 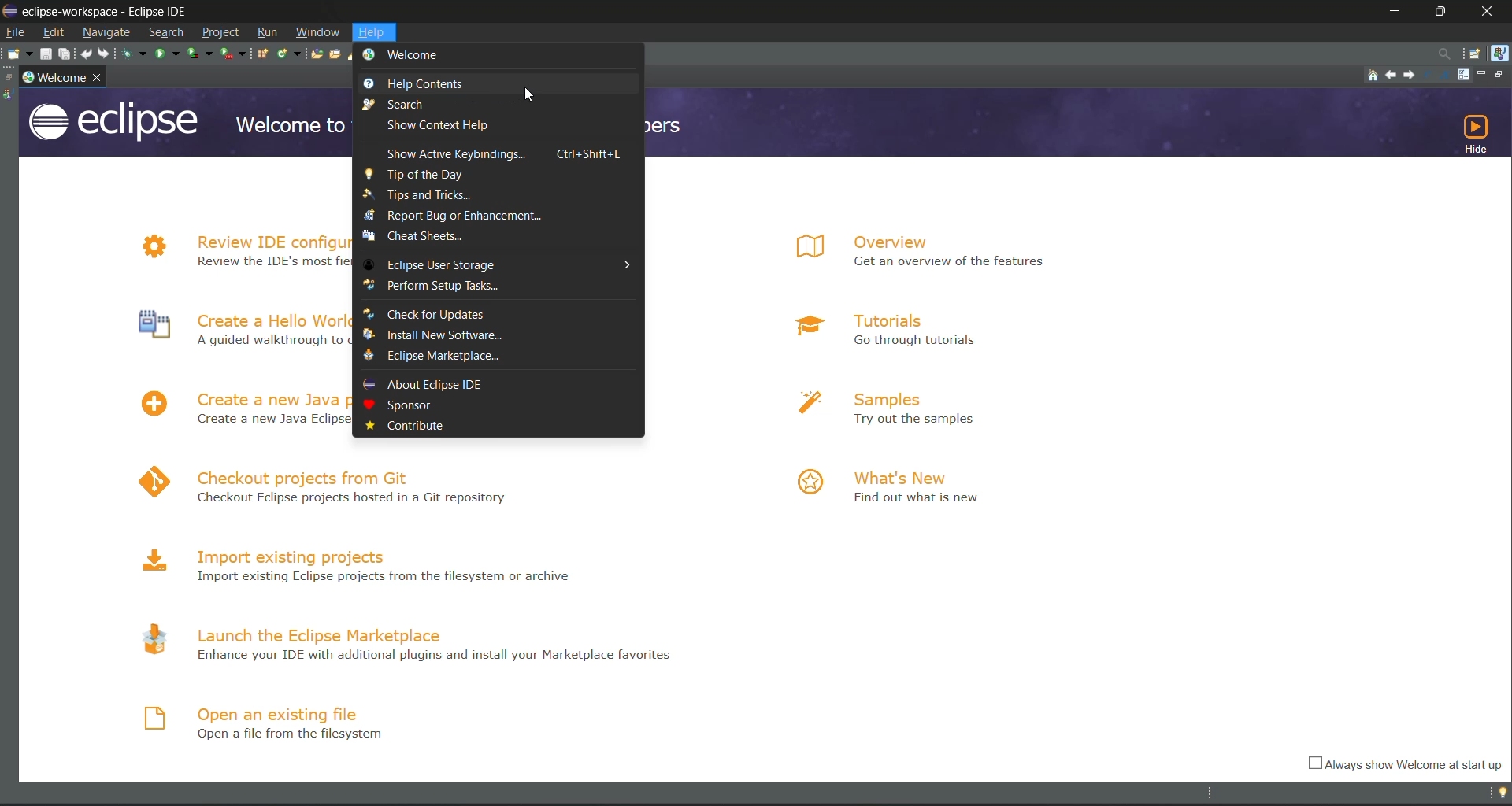 What do you see at coordinates (317, 30) in the screenshot?
I see `window` at bounding box center [317, 30].